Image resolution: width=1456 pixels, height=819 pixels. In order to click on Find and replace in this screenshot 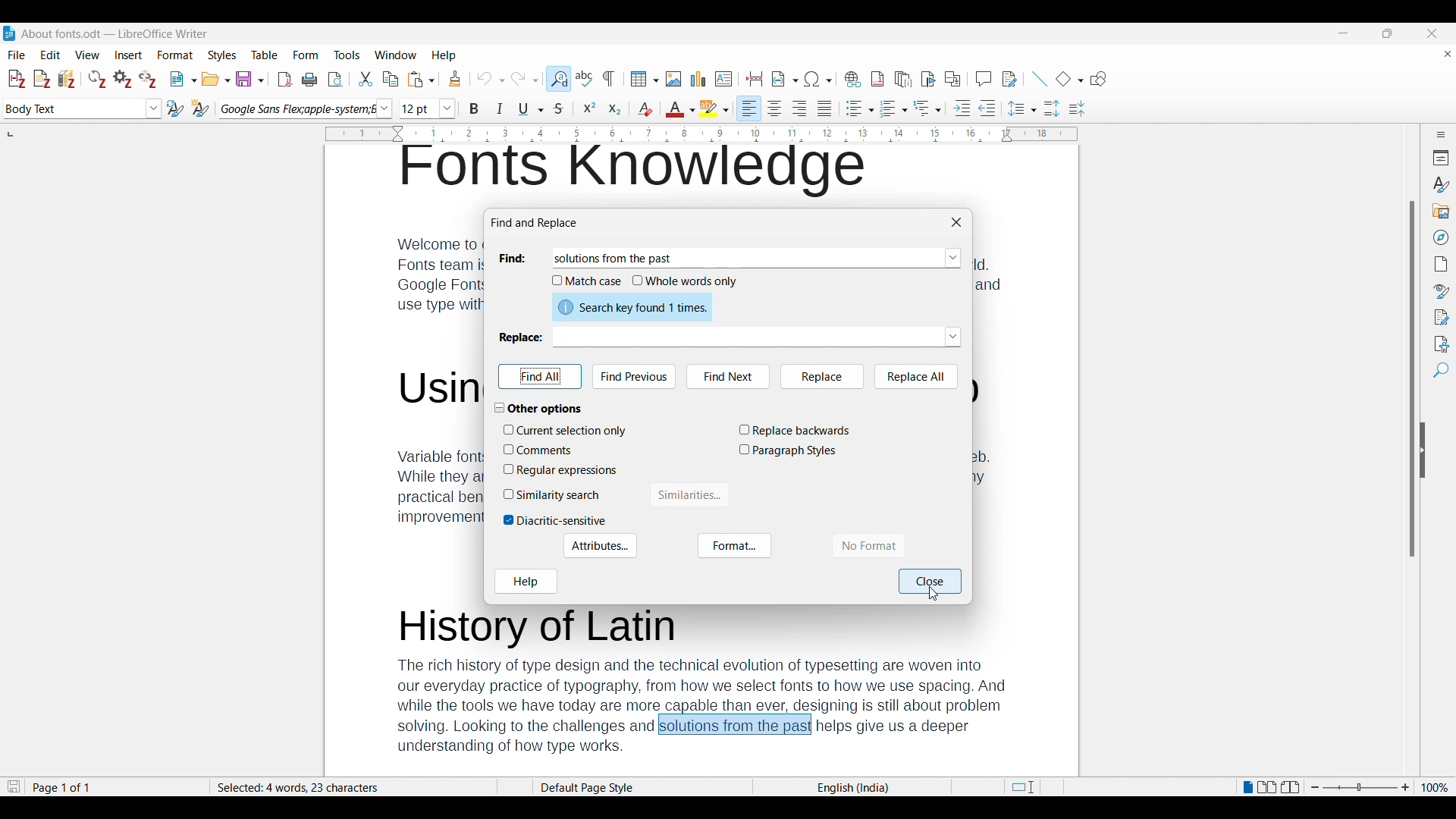, I will do `click(558, 79)`.